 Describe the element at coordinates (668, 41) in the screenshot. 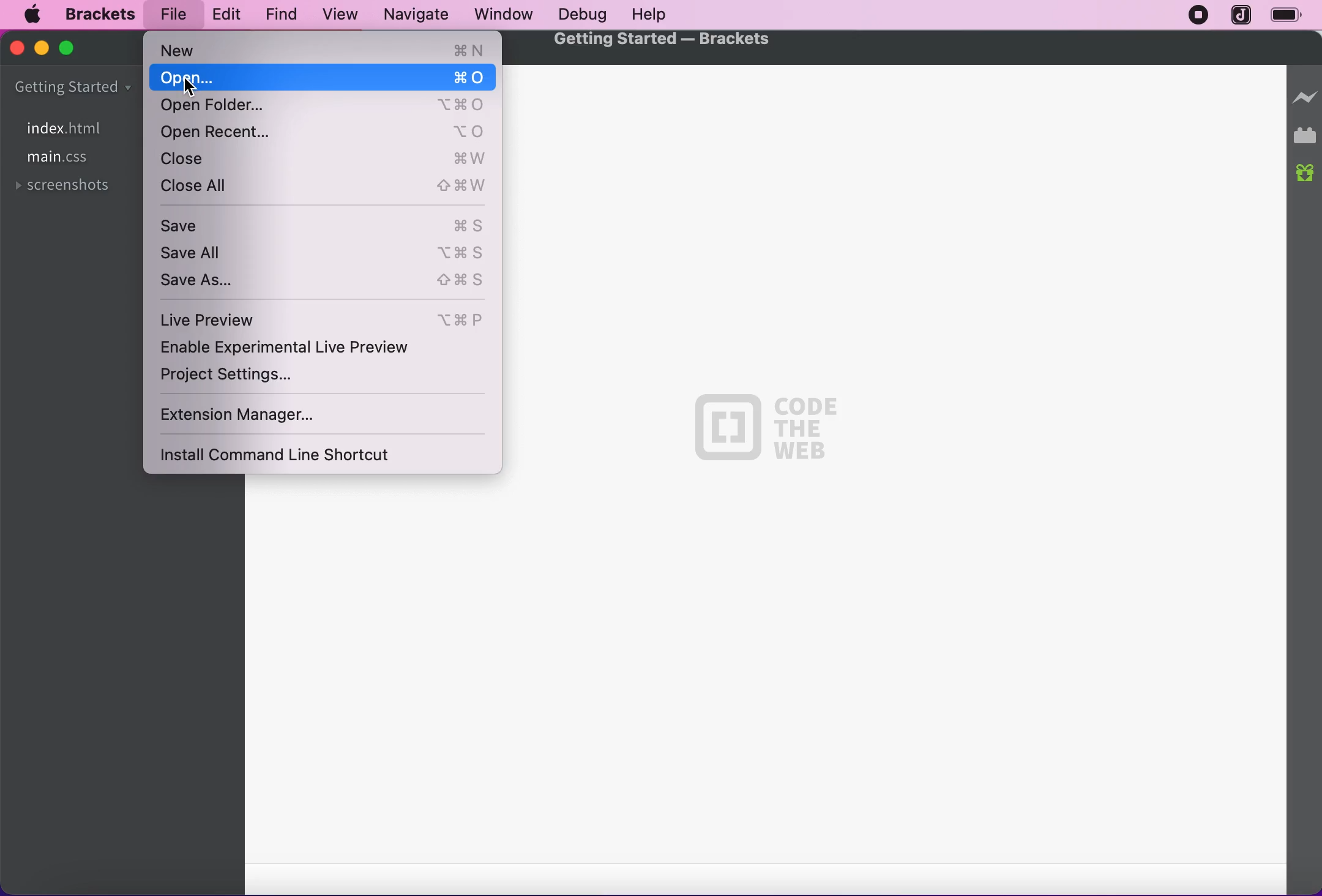

I see `getting started - brackets` at that location.